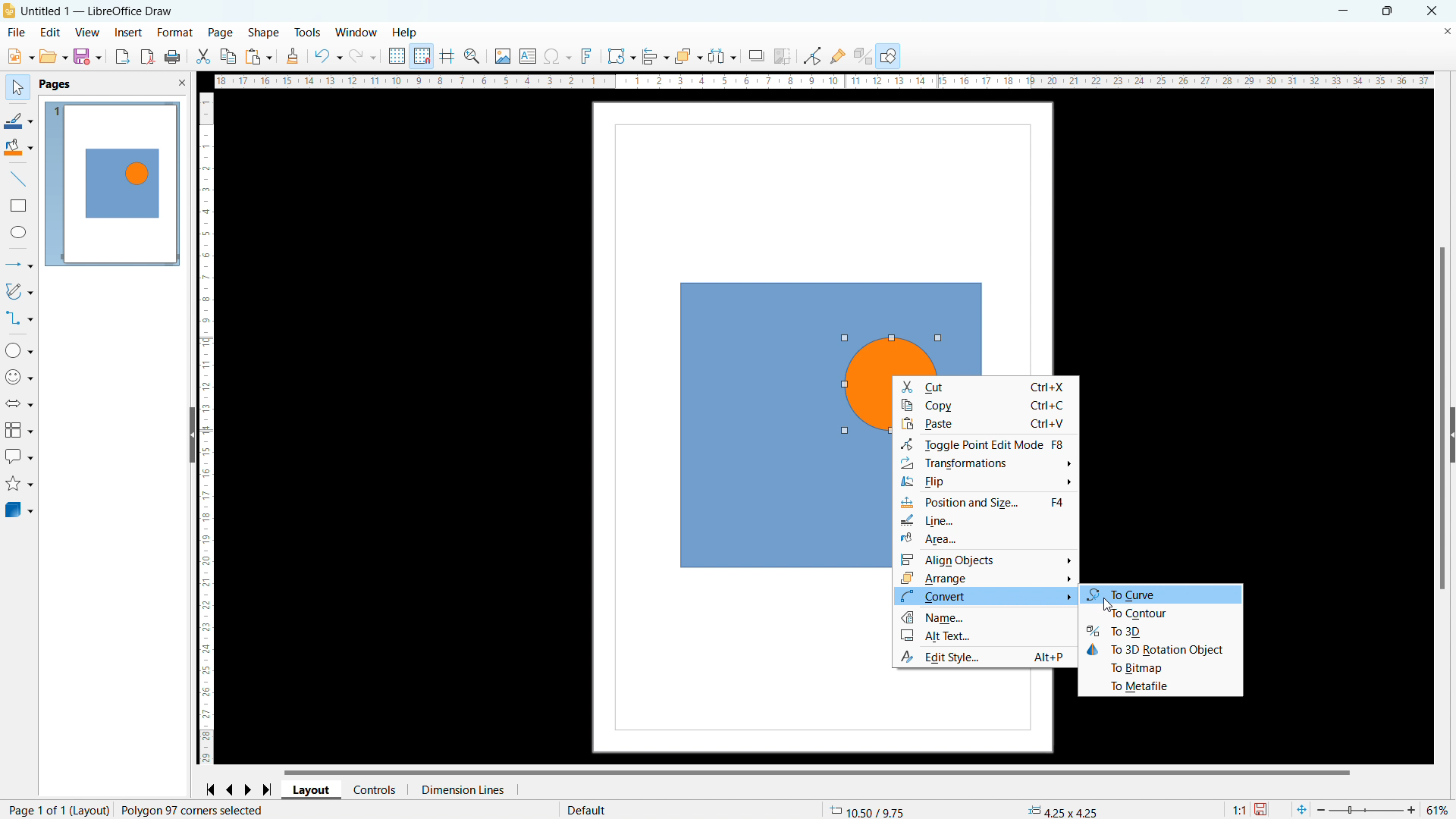 Image resolution: width=1456 pixels, height=819 pixels. Describe the element at coordinates (1346, 11) in the screenshot. I see `minimize` at that location.